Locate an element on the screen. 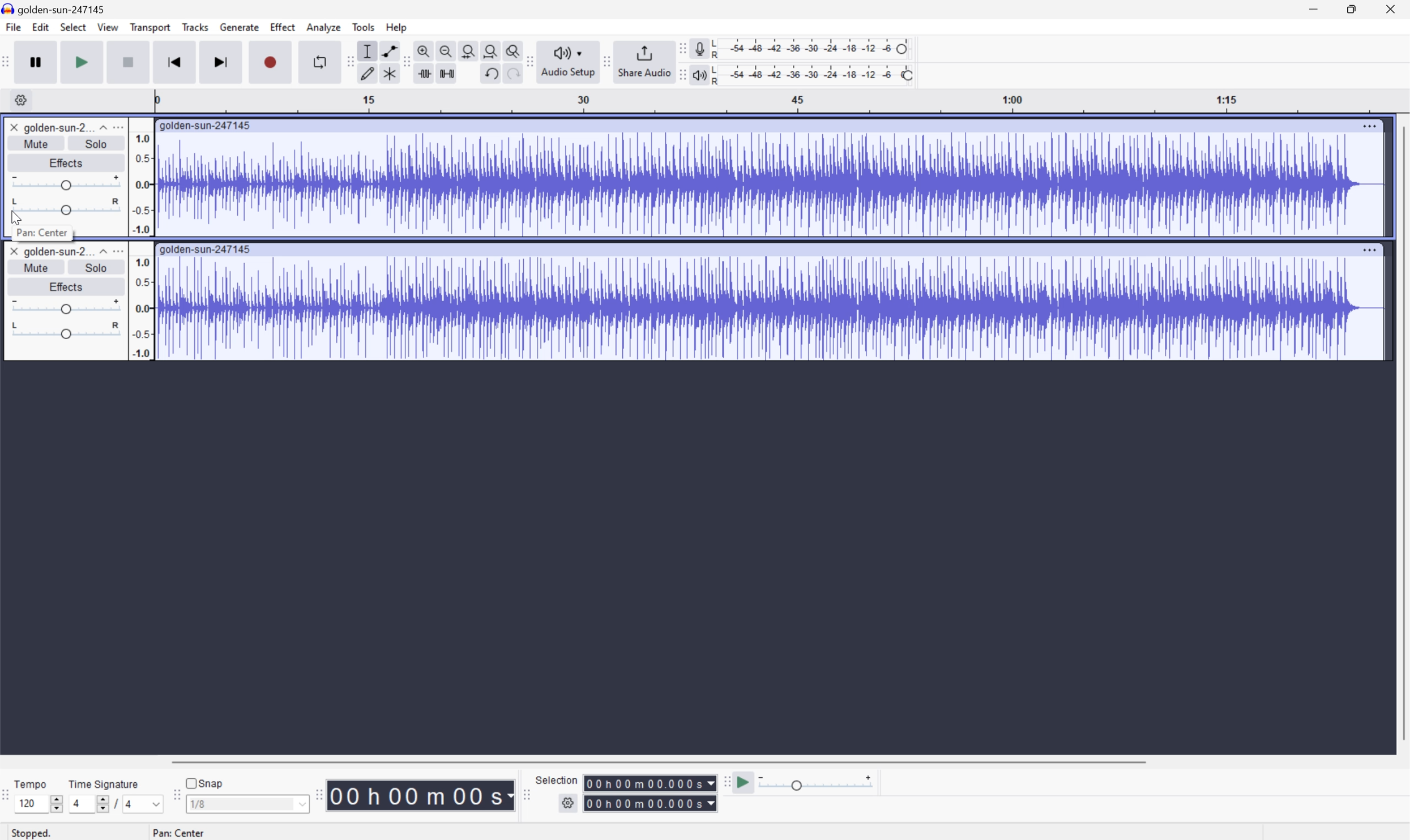 The image size is (1410, 840). Minimize is located at coordinates (1314, 10).